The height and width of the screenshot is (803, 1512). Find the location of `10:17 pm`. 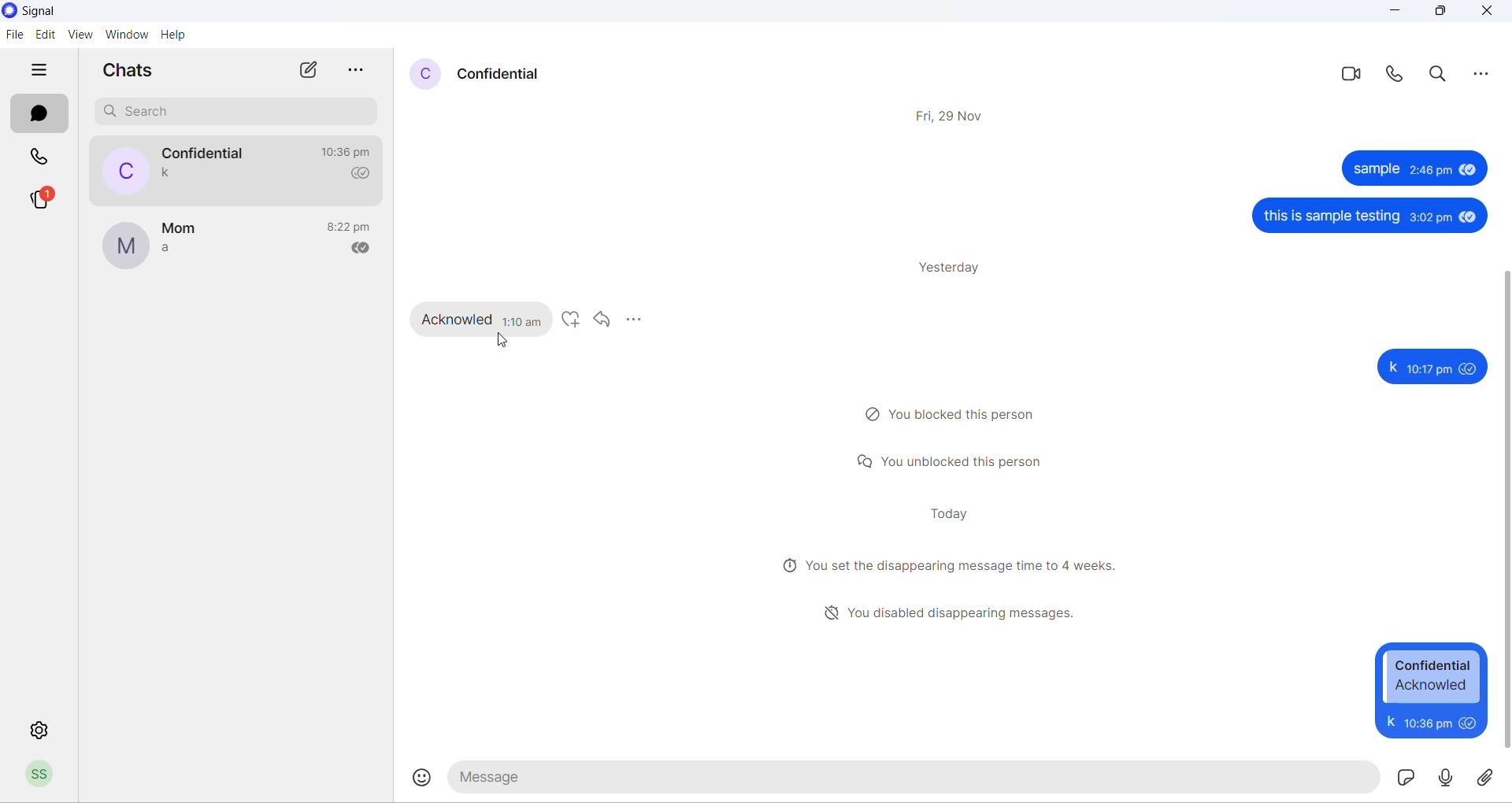

10:17 pm is located at coordinates (1430, 722).